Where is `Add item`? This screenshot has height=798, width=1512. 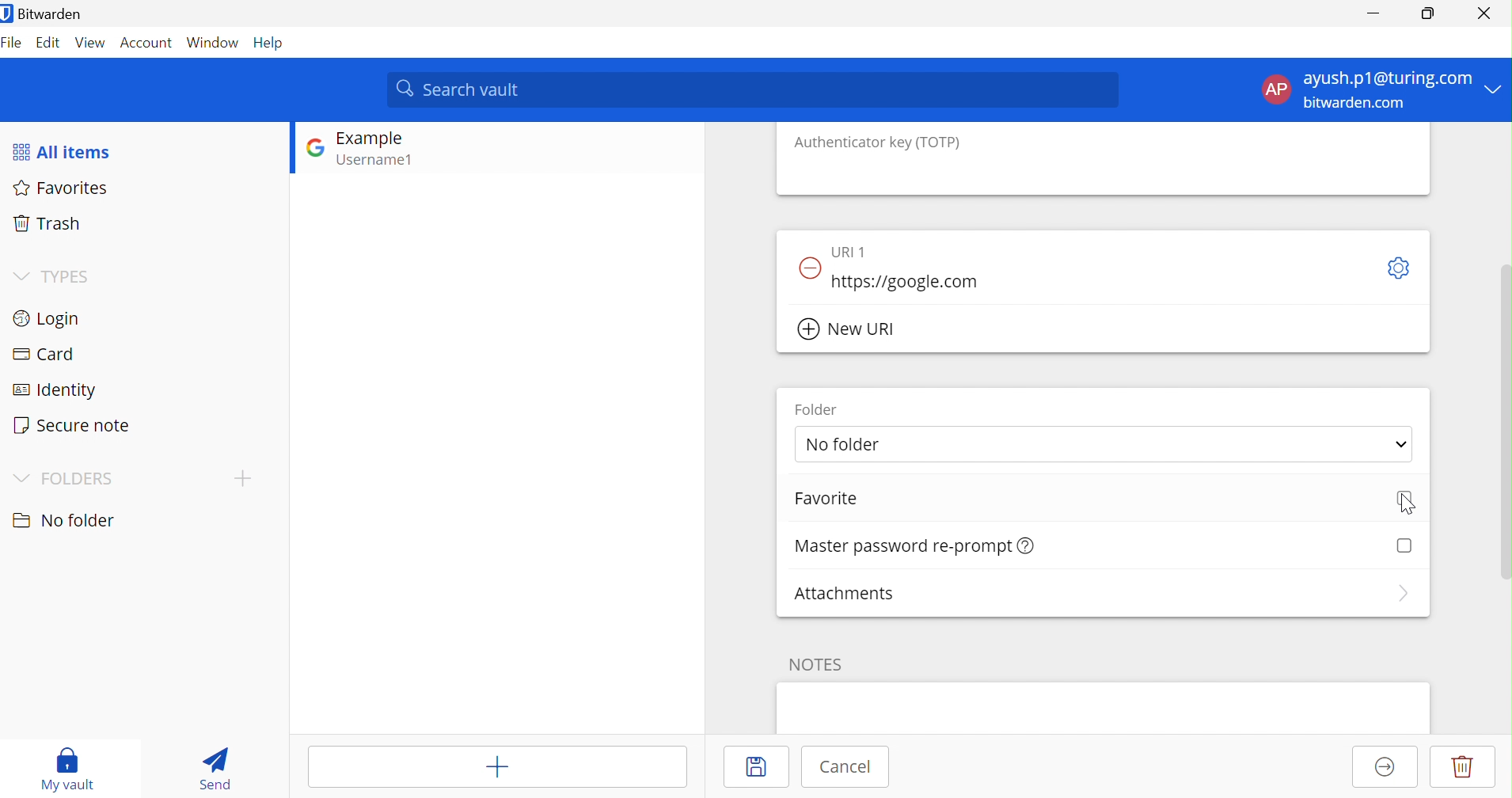 Add item is located at coordinates (496, 765).